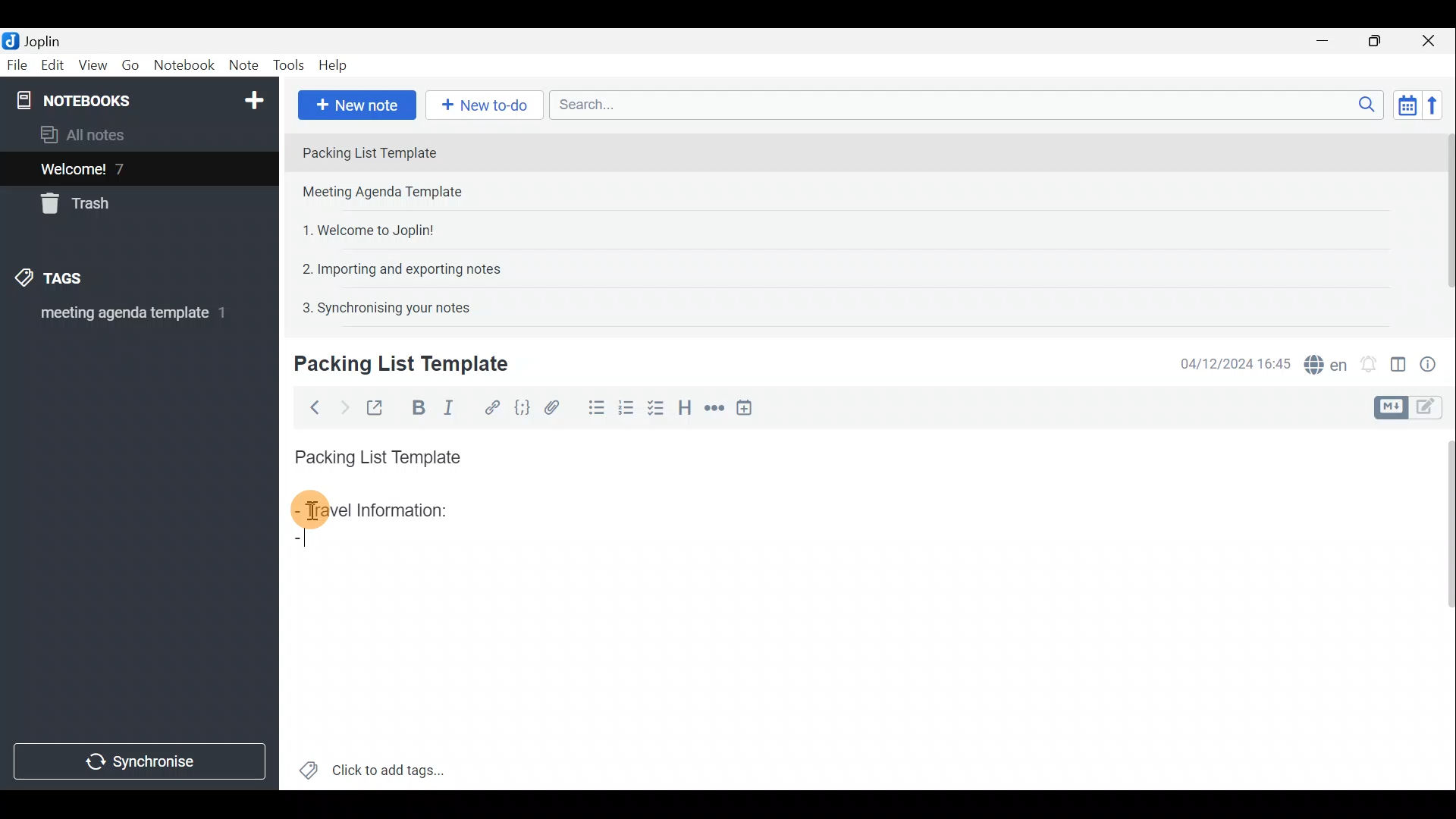 The height and width of the screenshot is (819, 1456). What do you see at coordinates (375, 453) in the screenshot?
I see `Packing List Template` at bounding box center [375, 453].